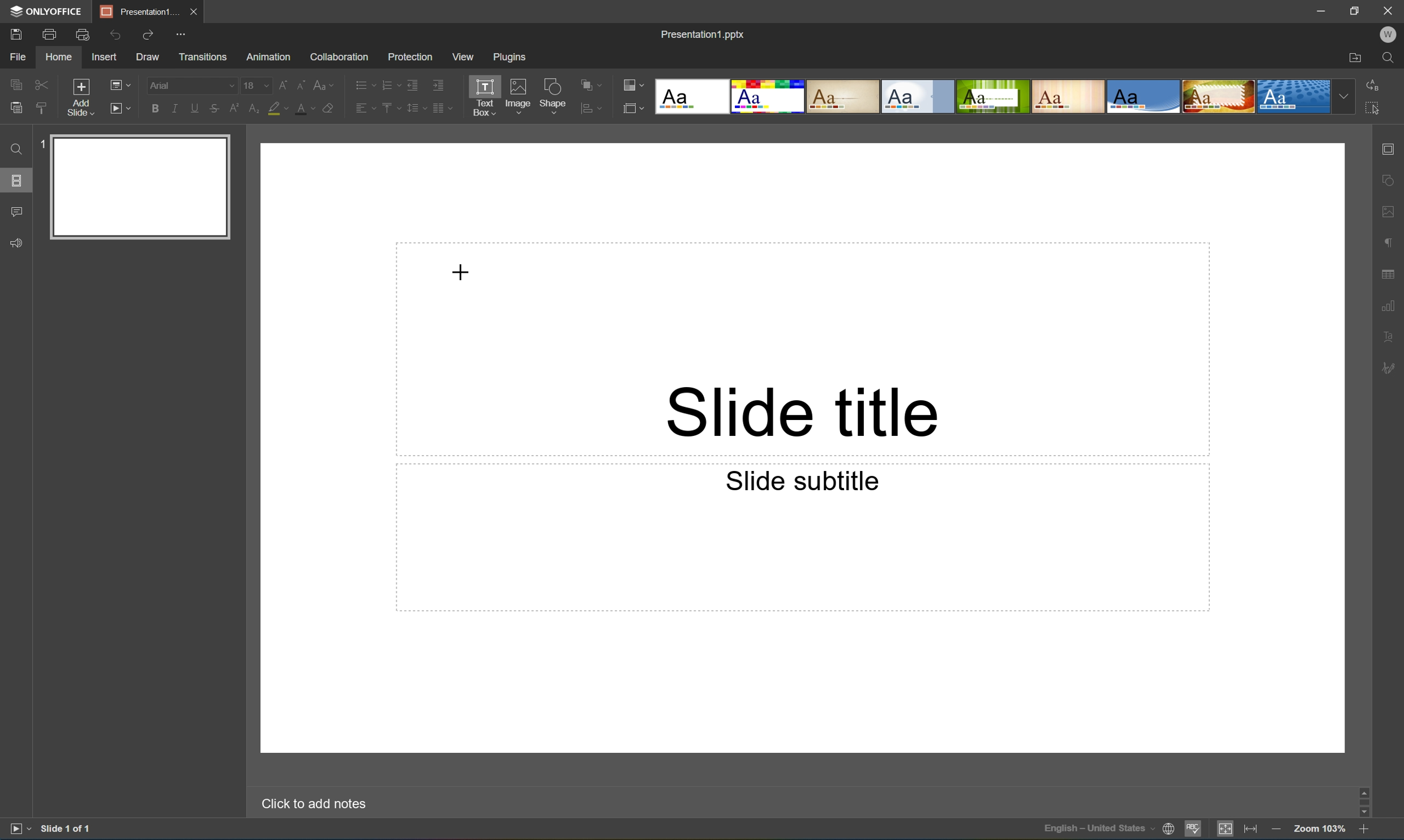 This screenshot has height=840, width=1404. Describe the element at coordinates (519, 99) in the screenshot. I see `Image` at that location.